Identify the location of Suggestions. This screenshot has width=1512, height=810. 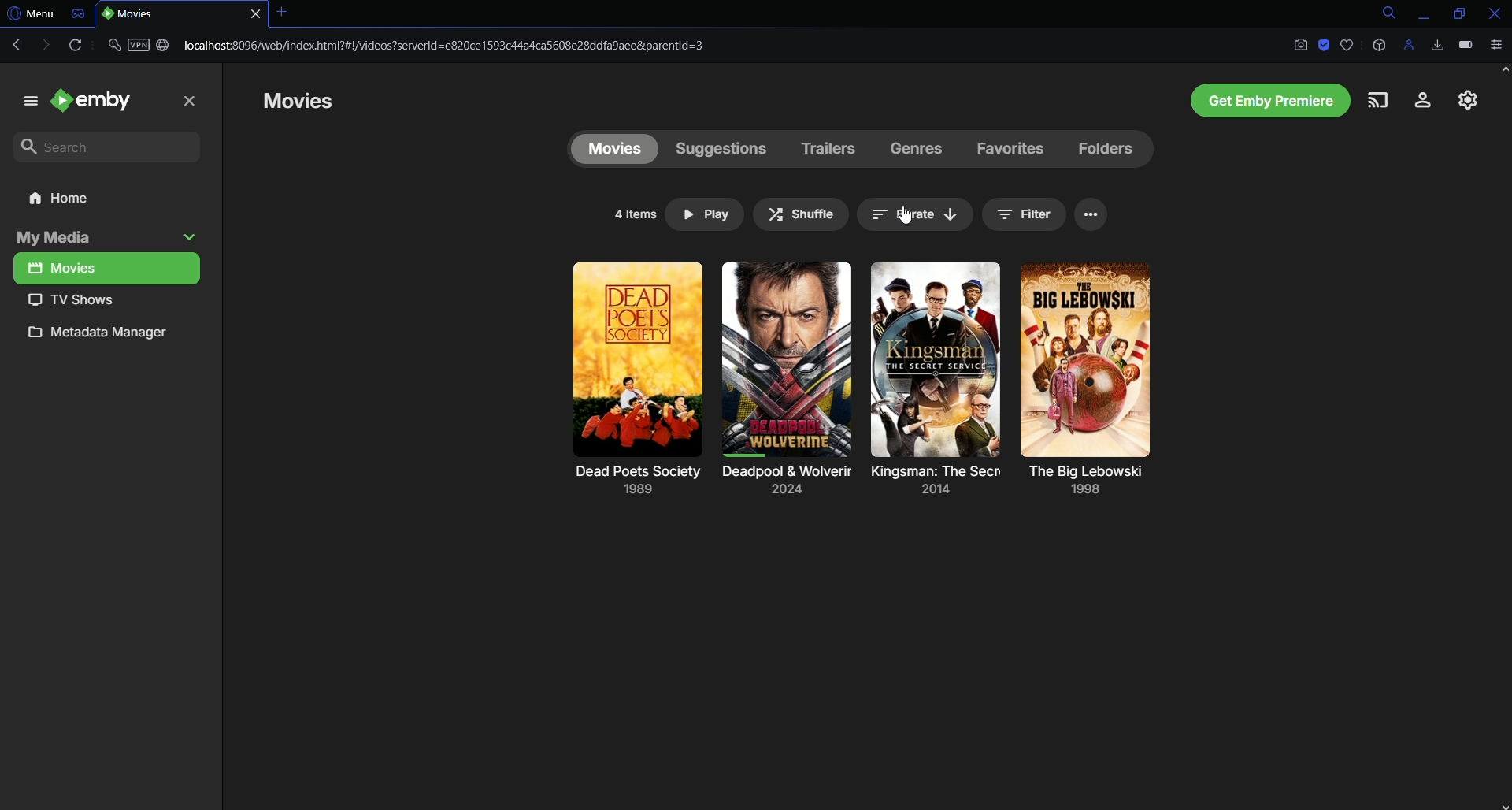
(718, 146).